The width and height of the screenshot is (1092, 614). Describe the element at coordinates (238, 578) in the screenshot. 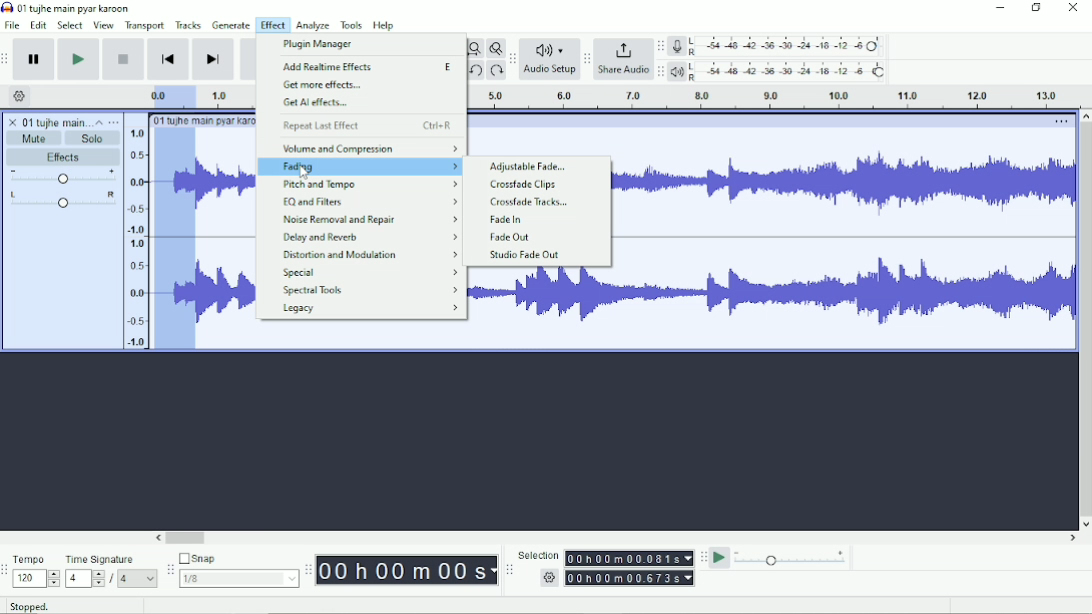

I see `1/8` at that location.